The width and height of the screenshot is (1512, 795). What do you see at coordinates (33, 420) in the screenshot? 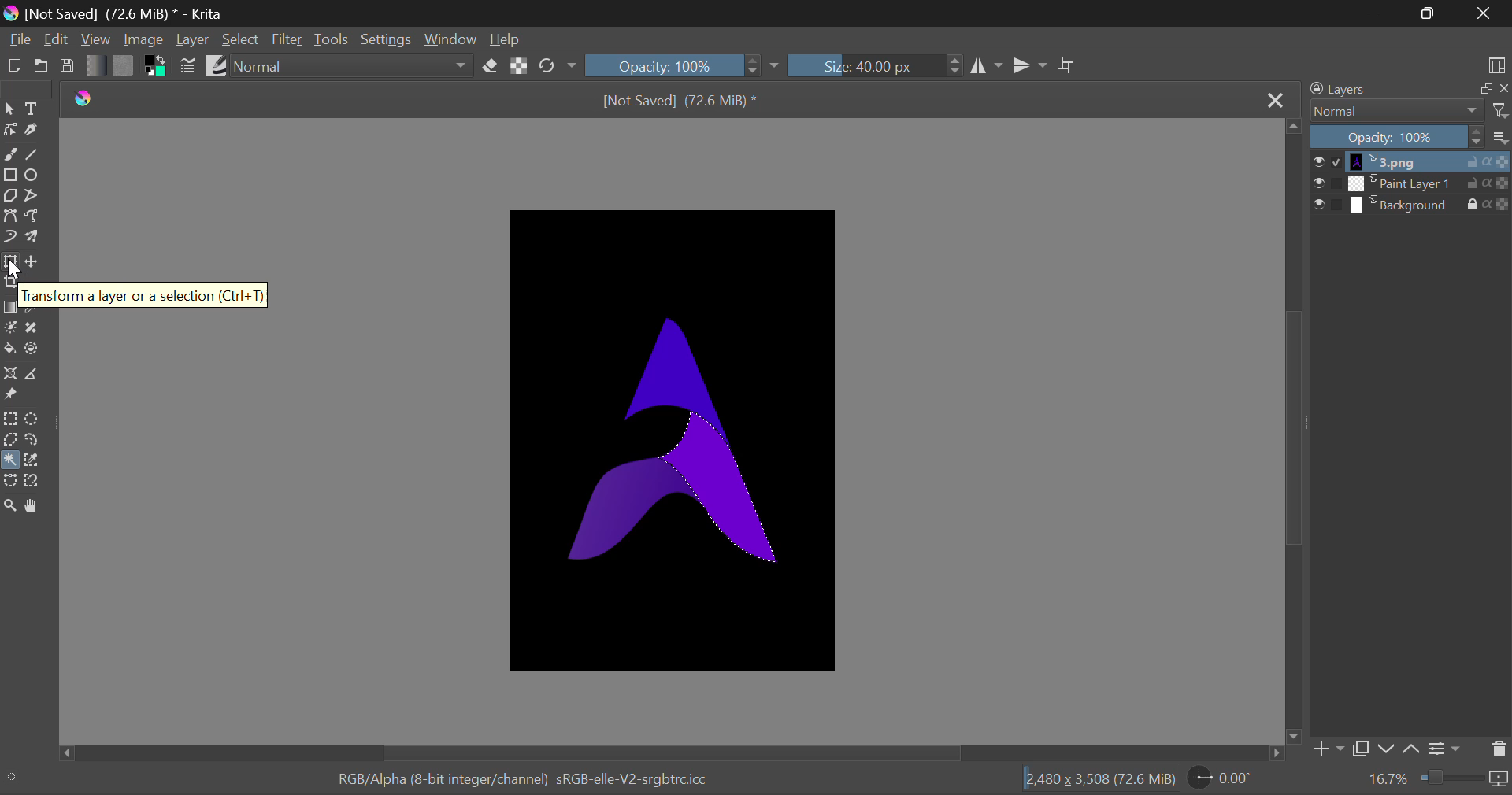
I see `Circular Selection` at bounding box center [33, 420].